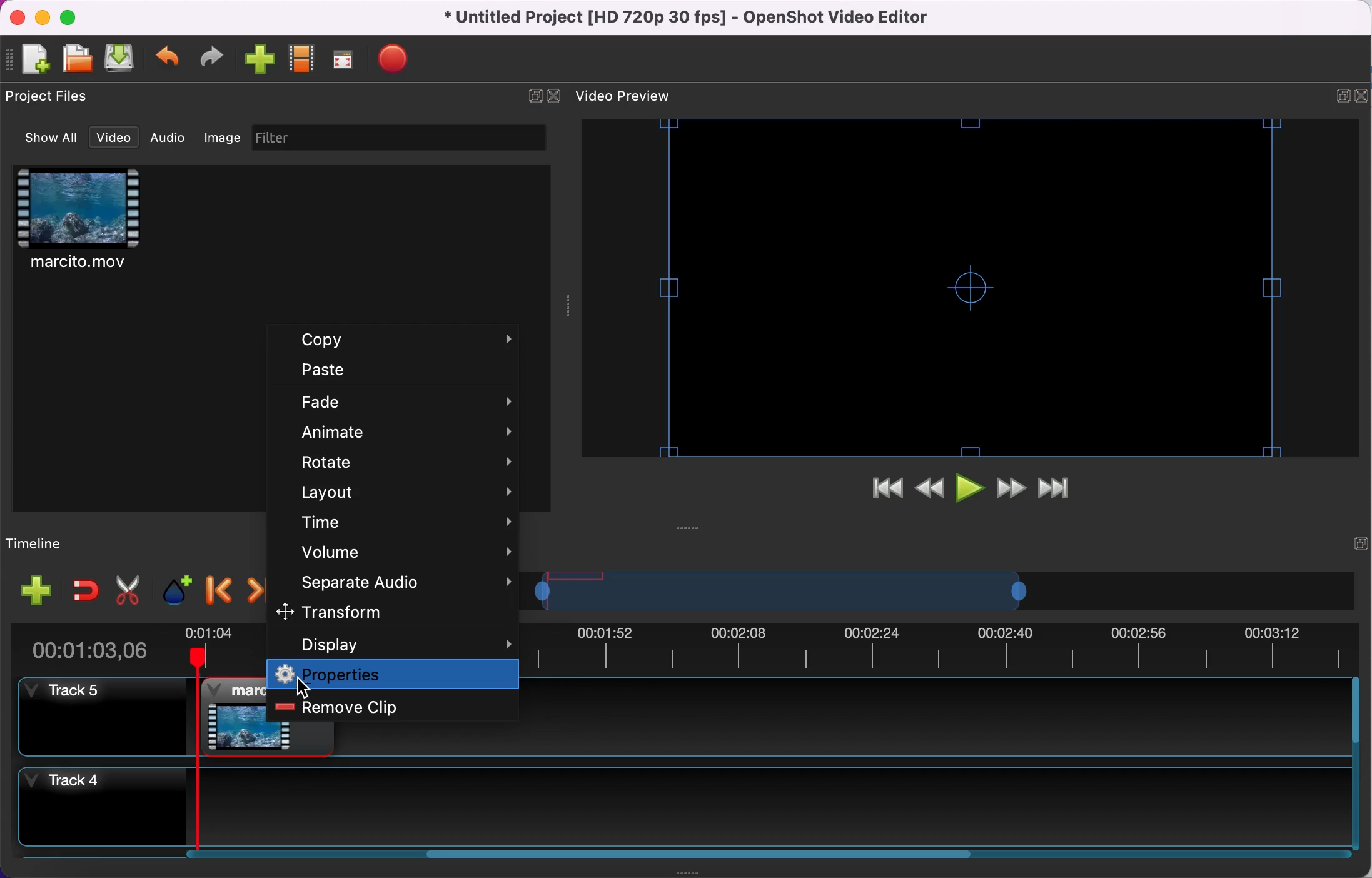 This screenshot has width=1372, height=878. Describe the element at coordinates (677, 806) in the screenshot. I see `track 4` at that location.